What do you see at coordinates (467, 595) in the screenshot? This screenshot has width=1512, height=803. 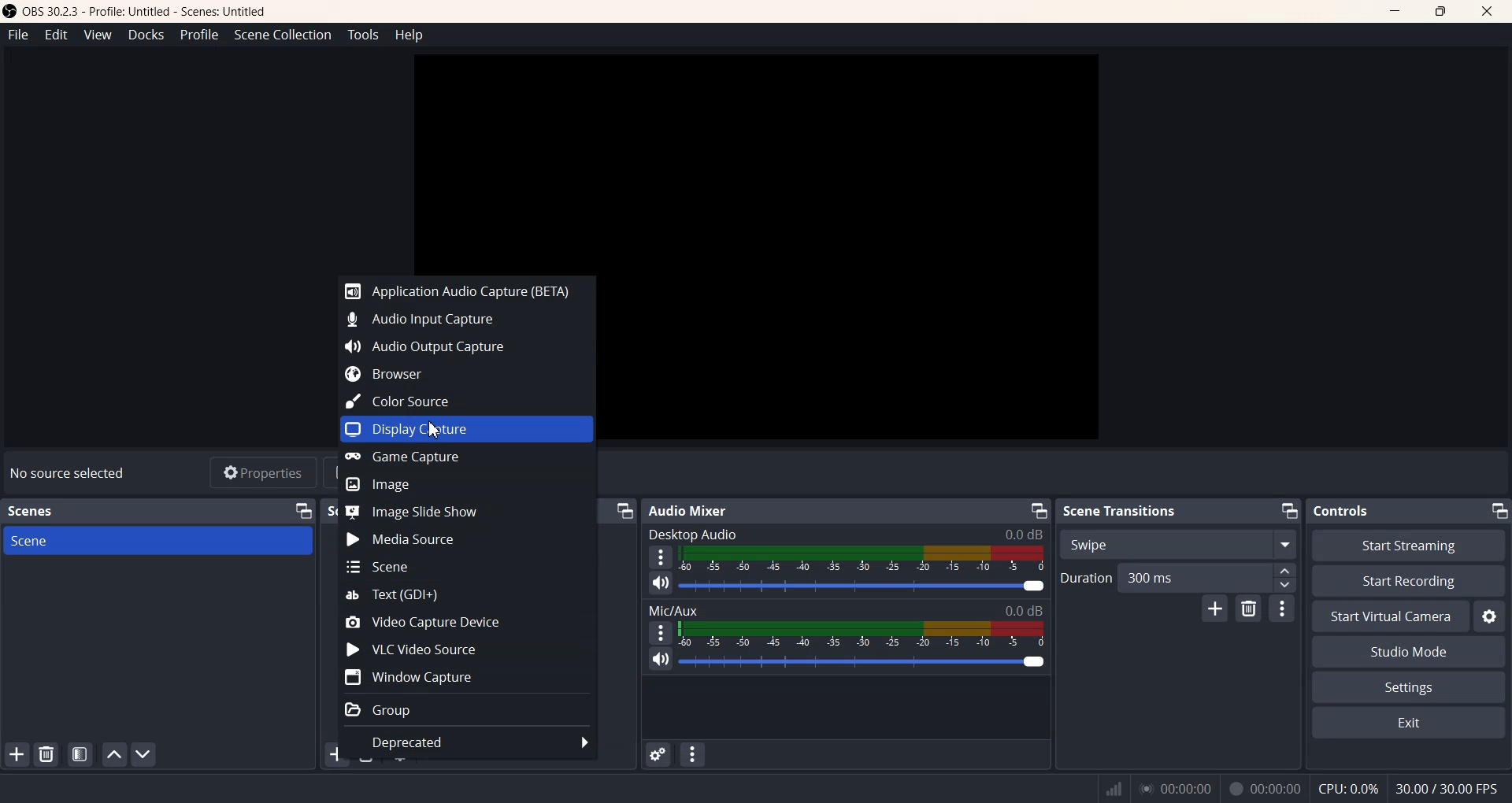 I see `Text(GDI+)` at bounding box center [467, 595].